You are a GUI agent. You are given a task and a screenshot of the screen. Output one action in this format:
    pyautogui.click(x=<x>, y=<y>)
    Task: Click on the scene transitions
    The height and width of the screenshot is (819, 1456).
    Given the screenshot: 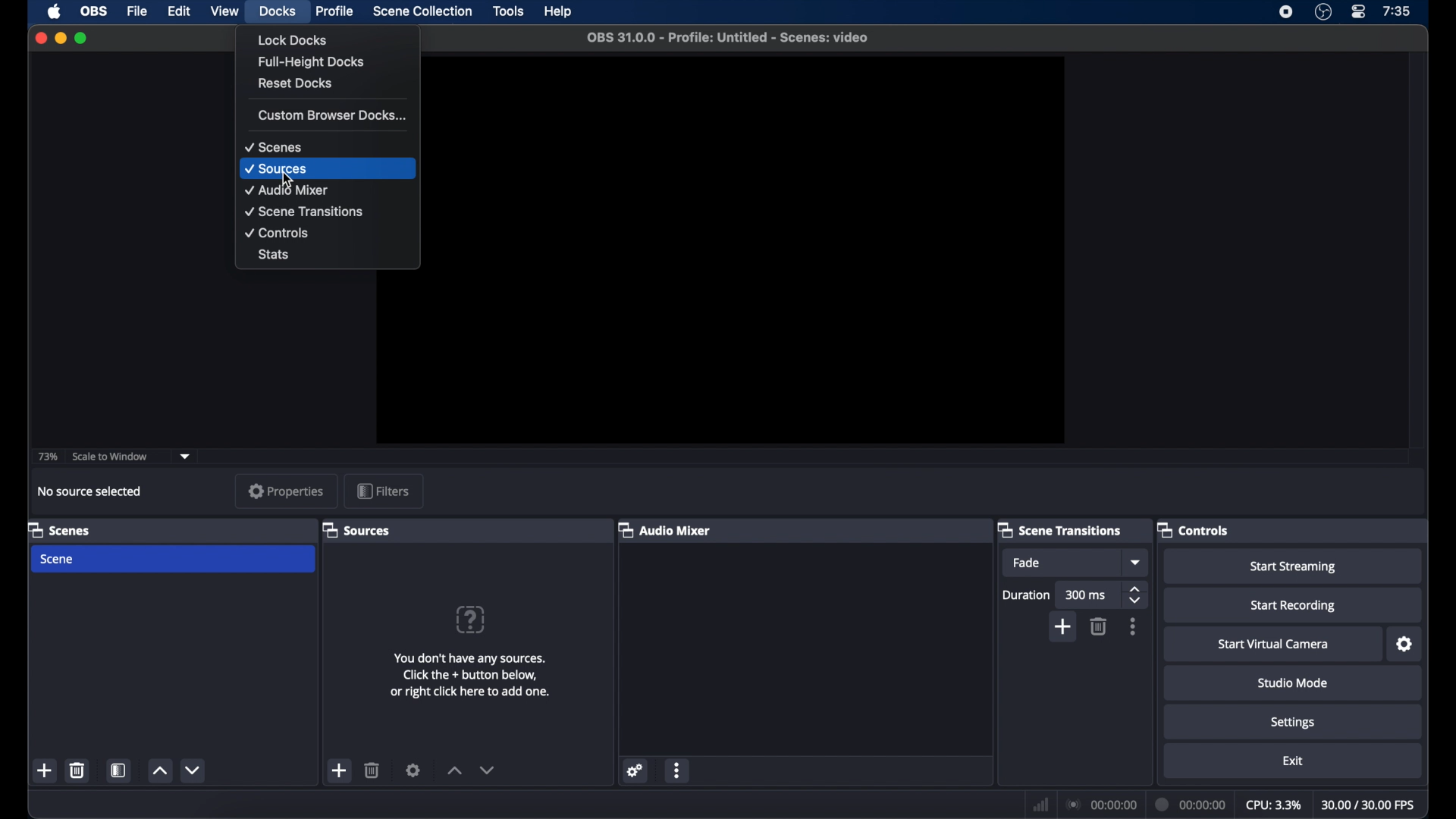 What is the action you would take?
    pyautogui.click(x=304, y=212)
    